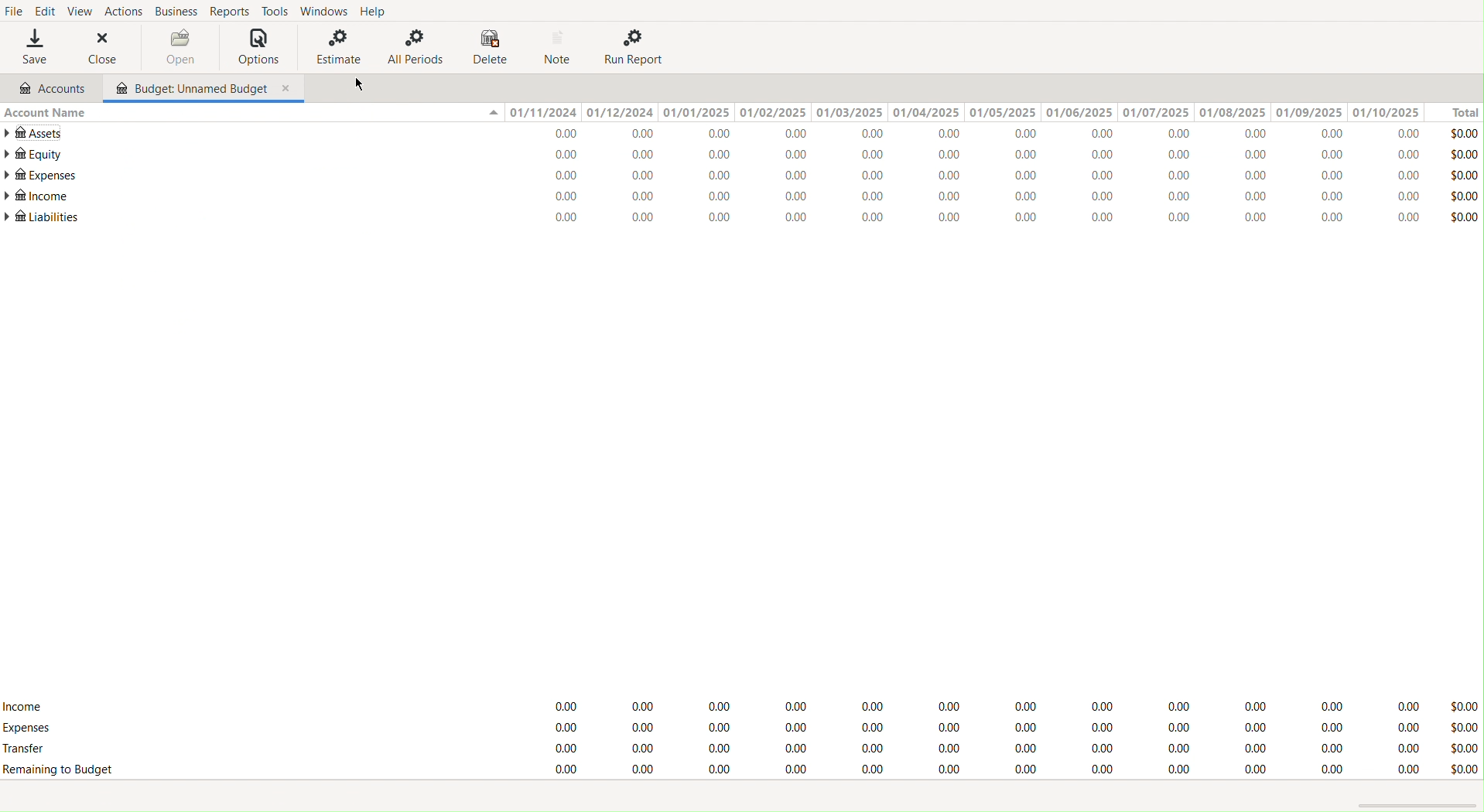 The height and width of the screenshot is (812, 1484). I want to click on Options, so click(258, 48).